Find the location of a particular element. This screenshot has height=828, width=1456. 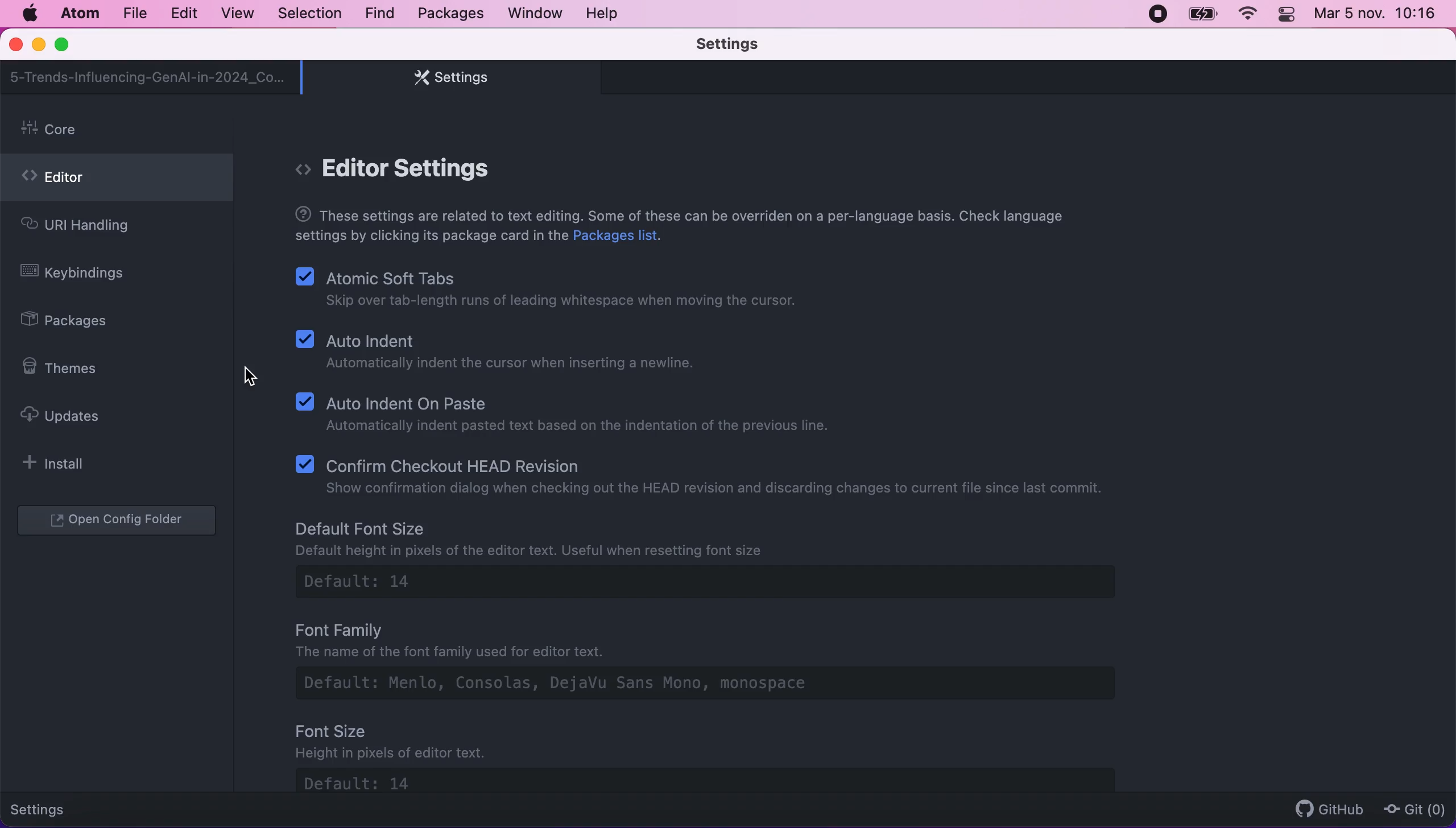

font size is located at coordinates (731, 757).